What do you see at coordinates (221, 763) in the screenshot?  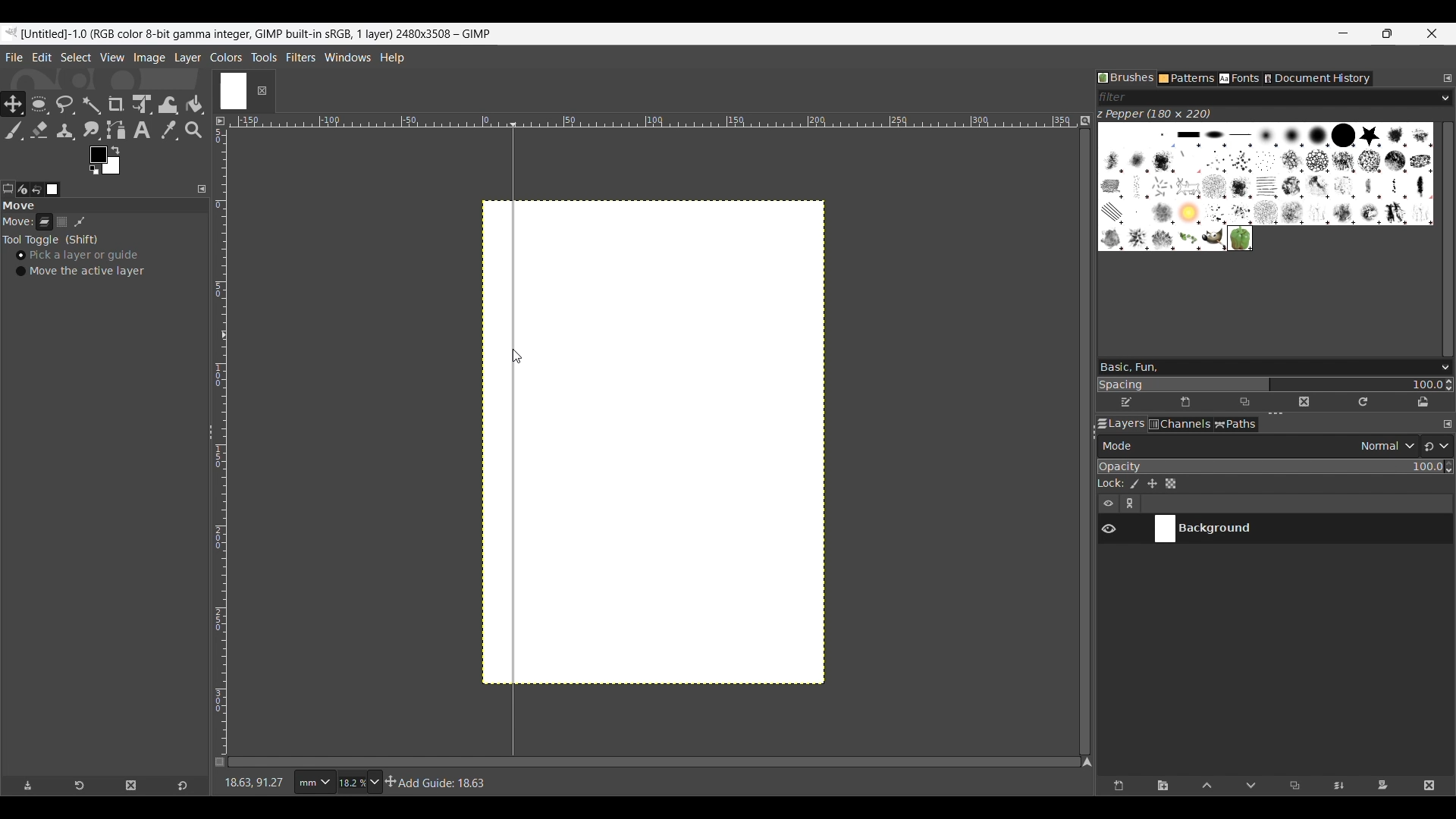 I see `Toggle quick mask on/off` at bounding box center [221, 763].